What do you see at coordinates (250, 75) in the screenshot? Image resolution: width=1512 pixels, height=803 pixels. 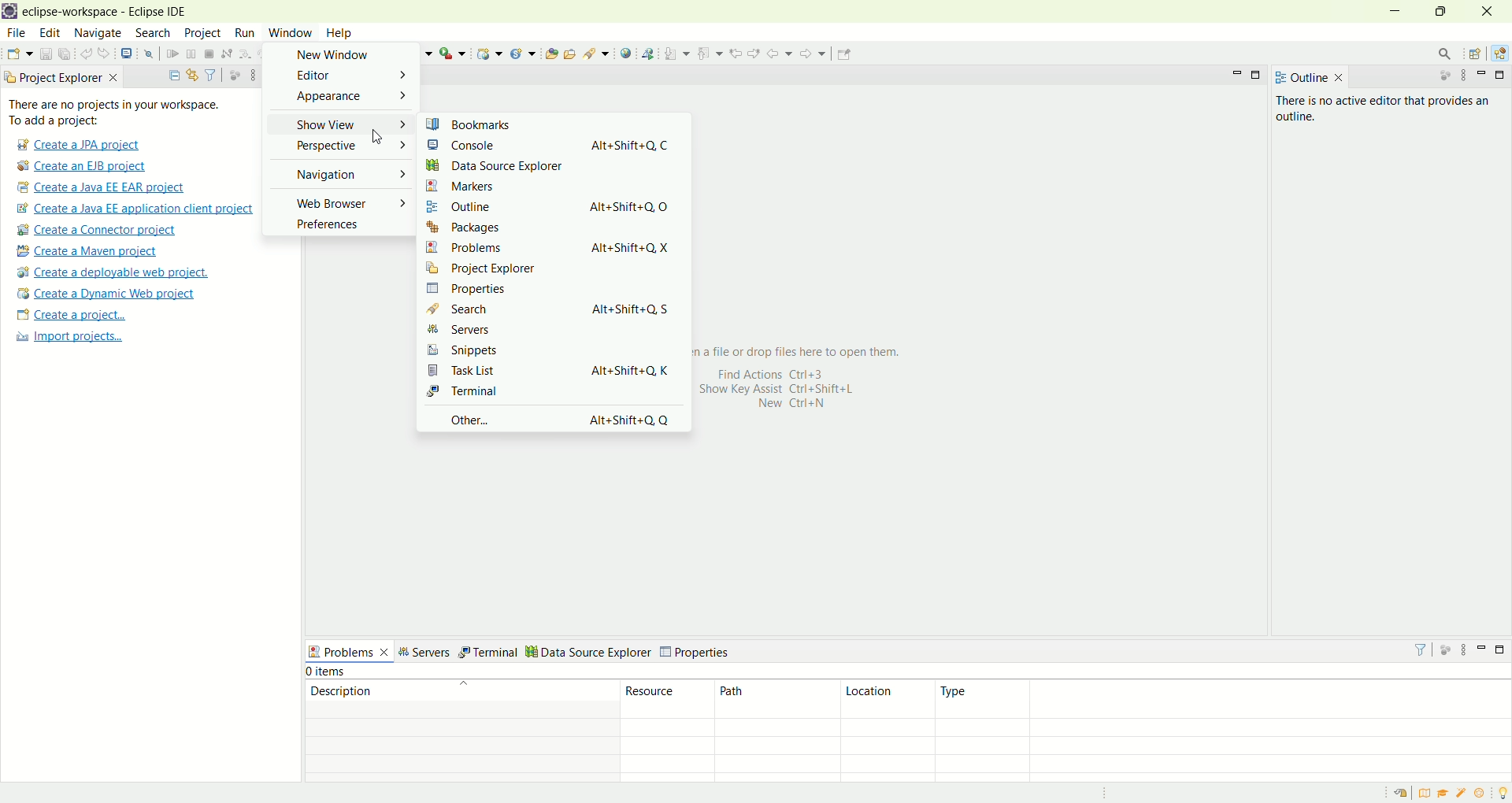 I see `view menu` at bounding box center [250, 75].